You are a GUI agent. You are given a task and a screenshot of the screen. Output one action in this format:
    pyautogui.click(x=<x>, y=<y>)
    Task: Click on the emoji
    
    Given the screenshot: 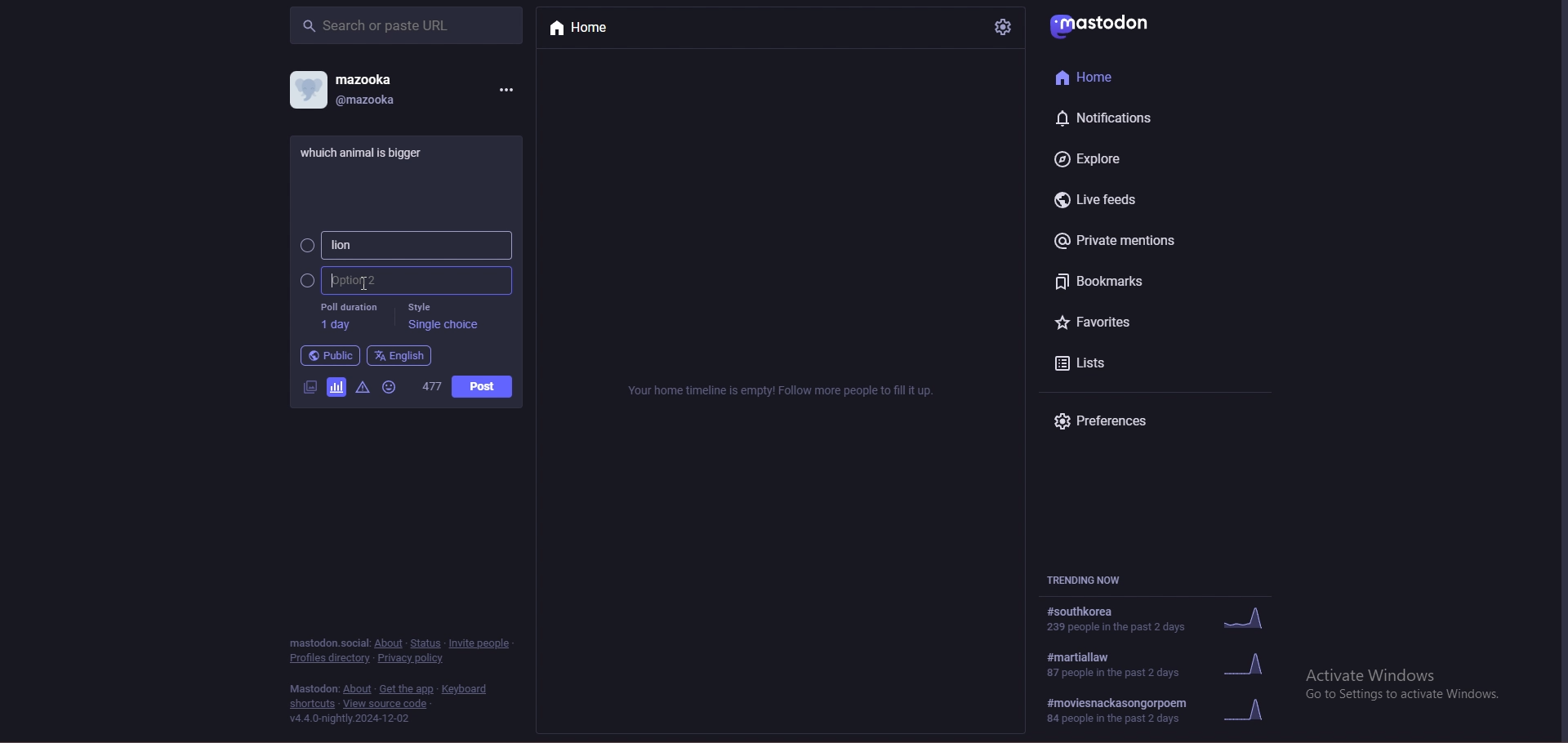 What is the action you would take?
    pyautogui.click(x=393, y=387)
    